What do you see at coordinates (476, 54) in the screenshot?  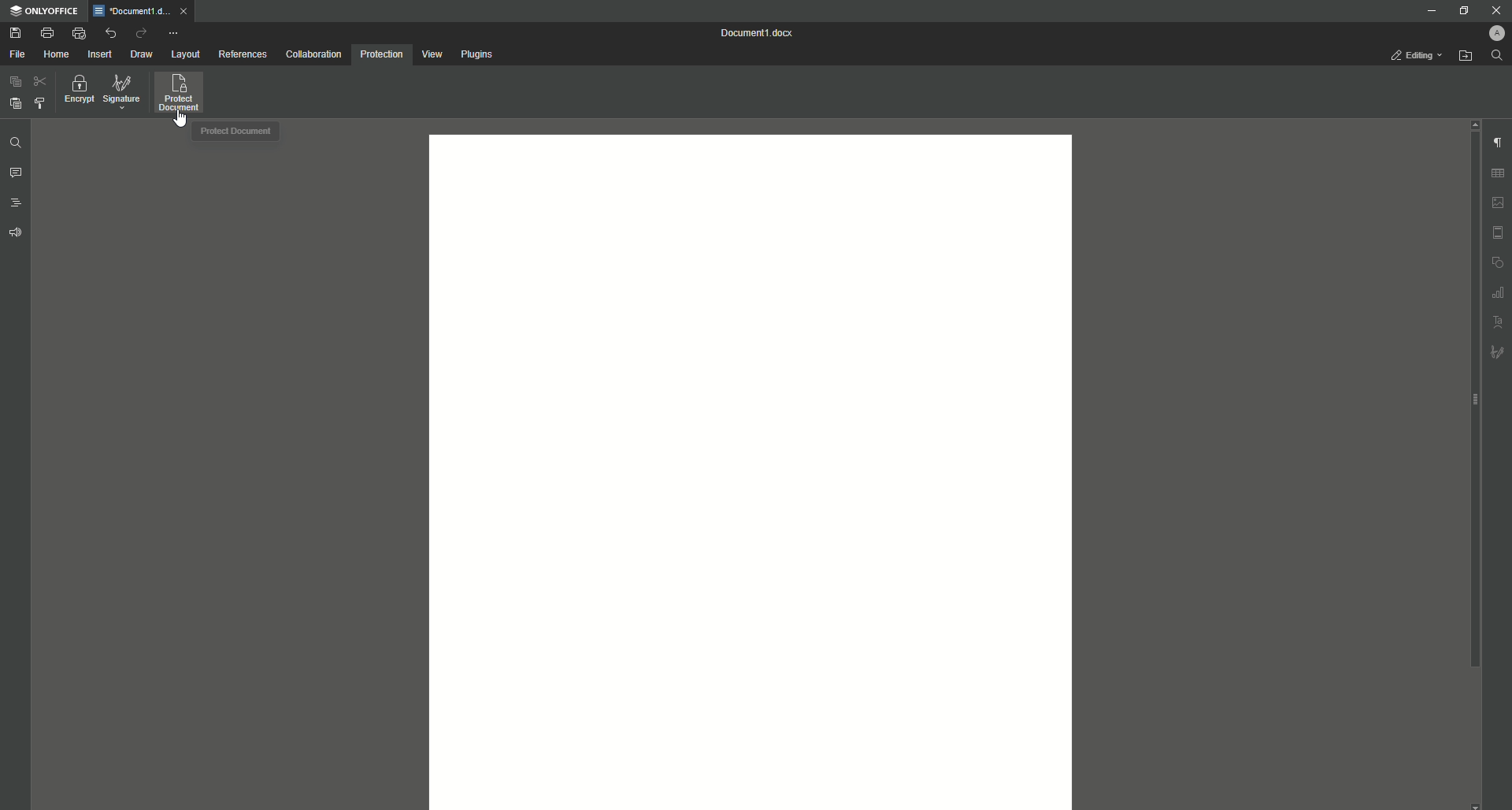 I see `Plugins` at bounding box center [476, 54].